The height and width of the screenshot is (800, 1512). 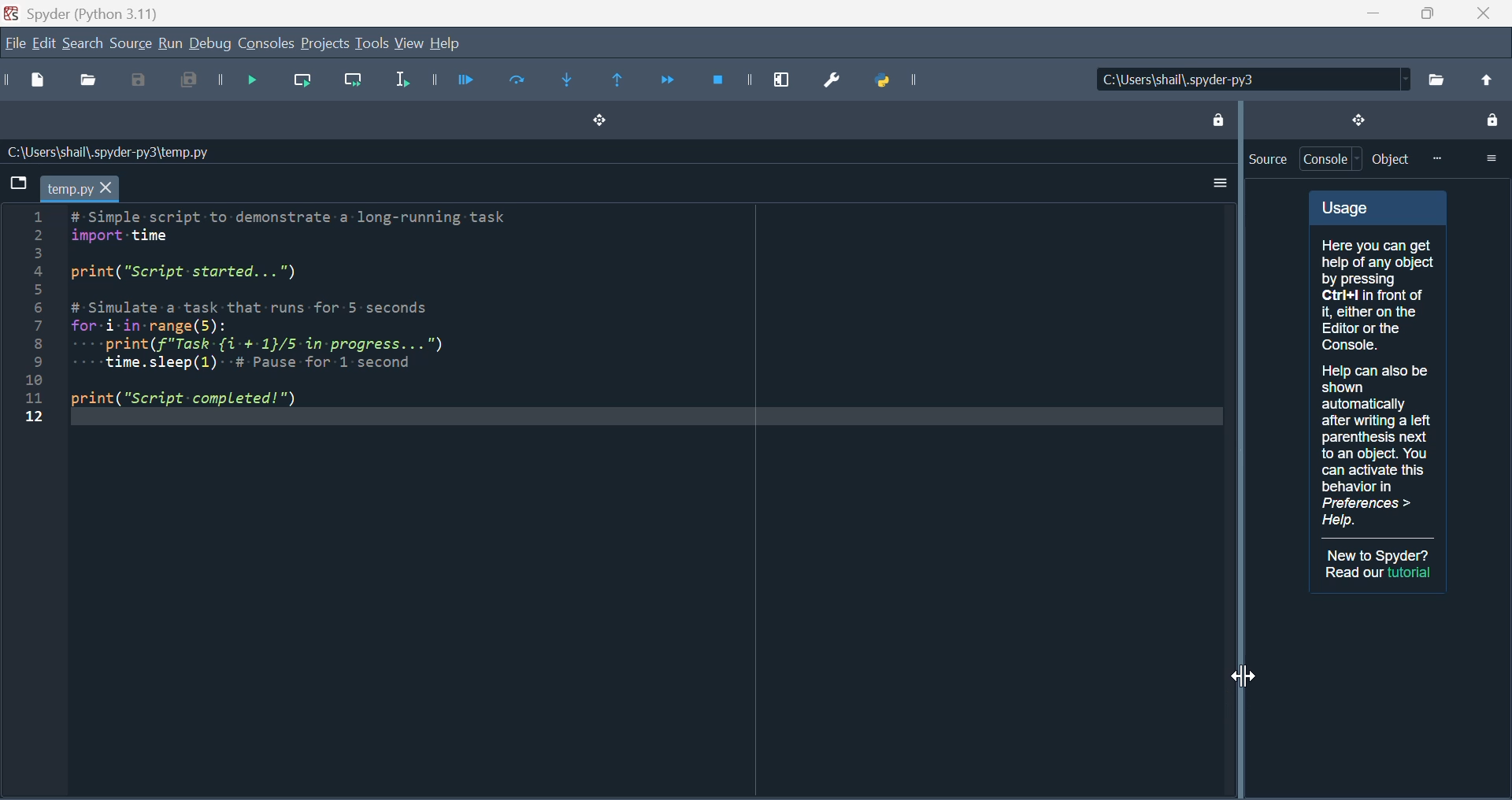 I want to click on C:\Users\shail\.spyder-py3\temp.py, so click(x=106, y=152).